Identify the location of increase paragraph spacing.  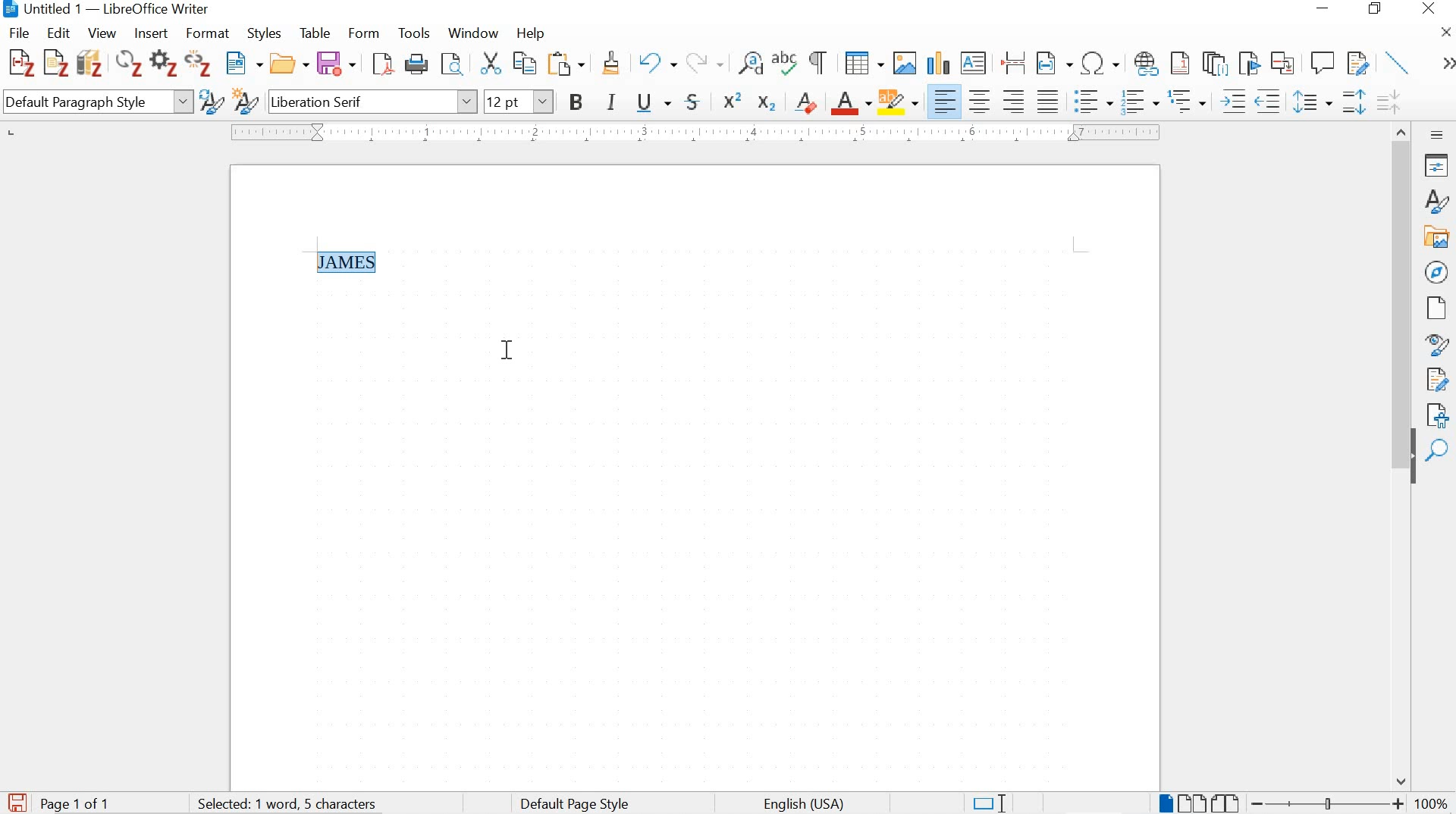
(1353, 104).